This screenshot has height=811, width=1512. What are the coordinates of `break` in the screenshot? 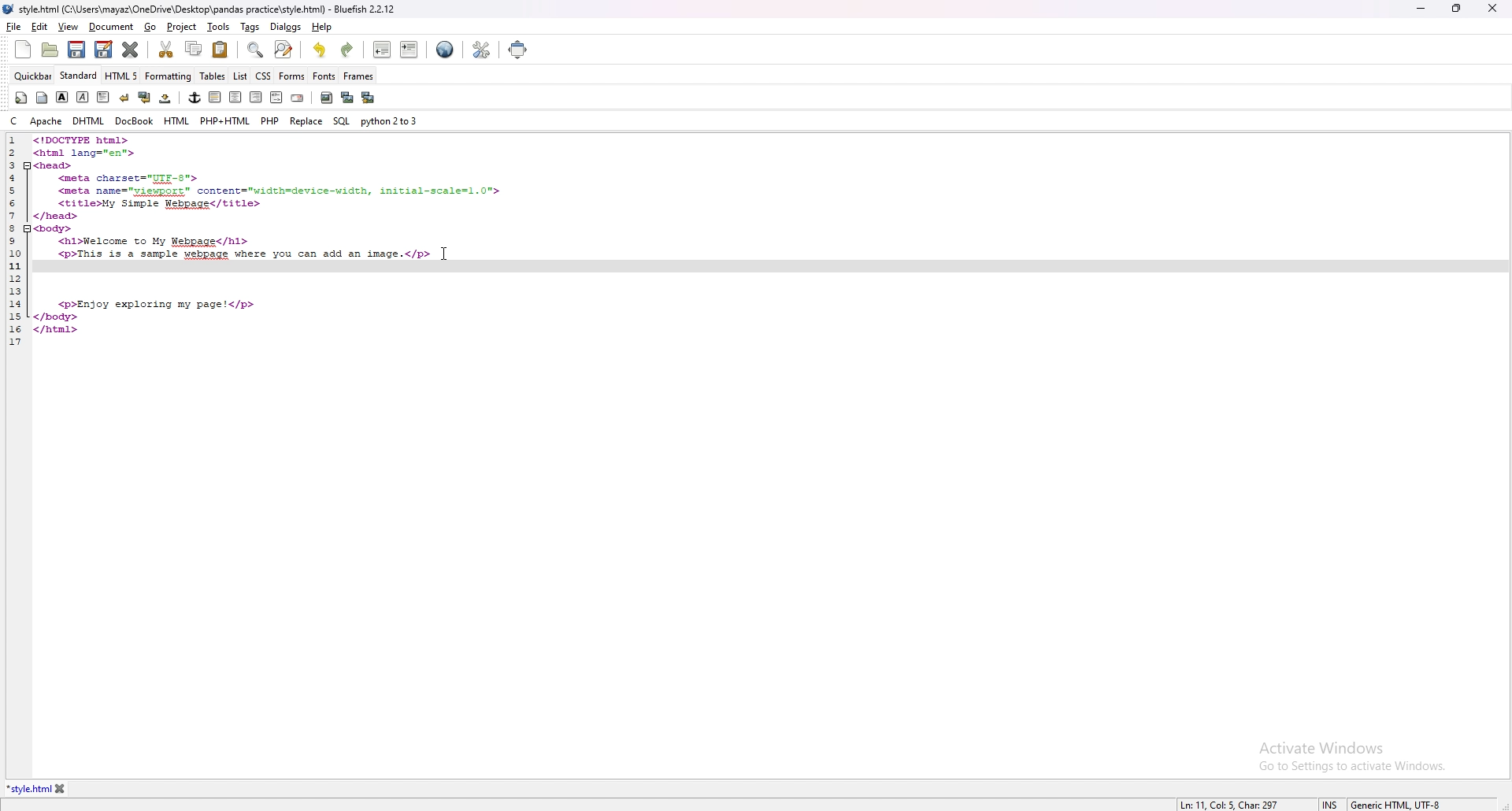 It's located at (124, 98).